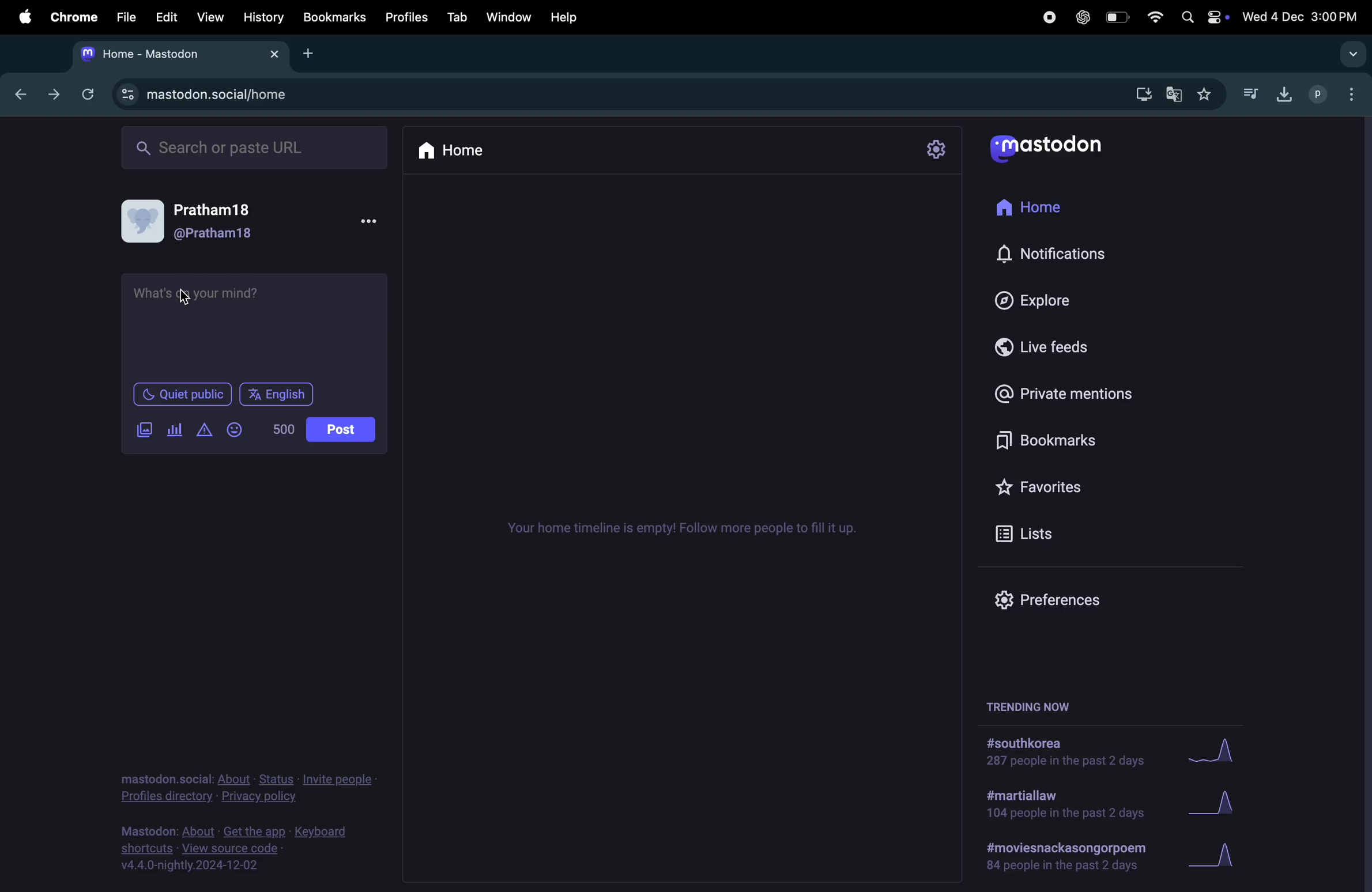  I want to click on view, so click(209, 19).